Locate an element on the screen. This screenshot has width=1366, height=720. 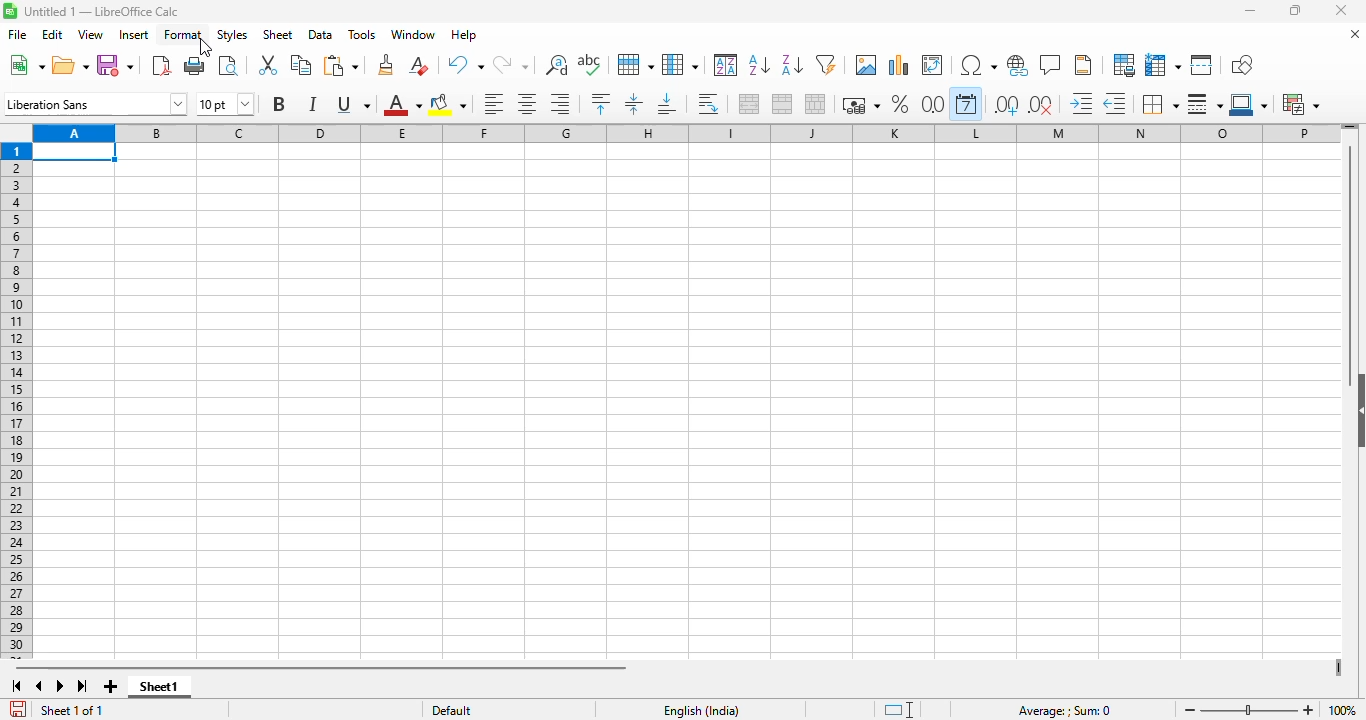
center vertically is located at coordinates (633, 104).